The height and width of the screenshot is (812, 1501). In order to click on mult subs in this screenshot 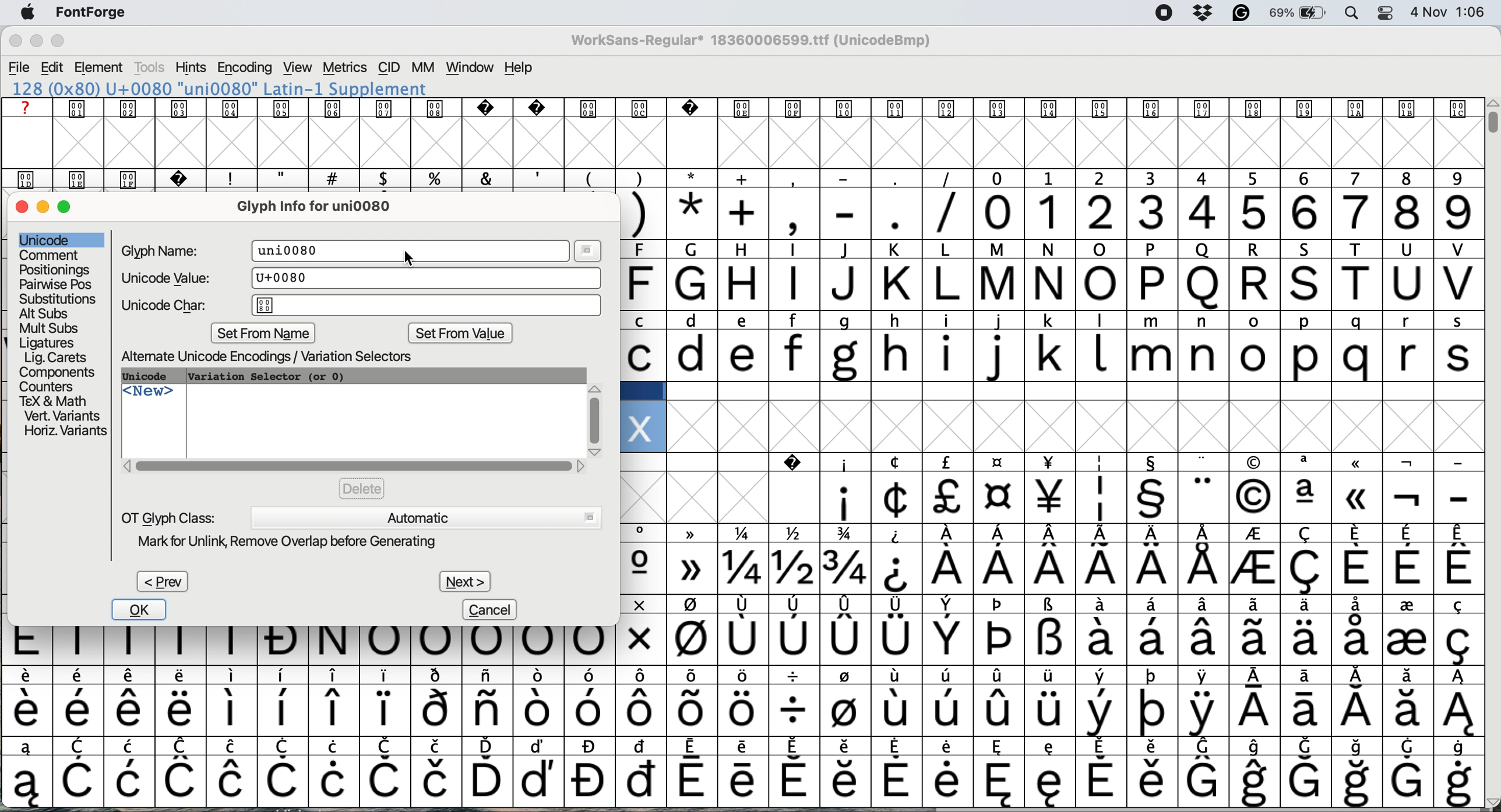, I will do `click(47, 328)`.